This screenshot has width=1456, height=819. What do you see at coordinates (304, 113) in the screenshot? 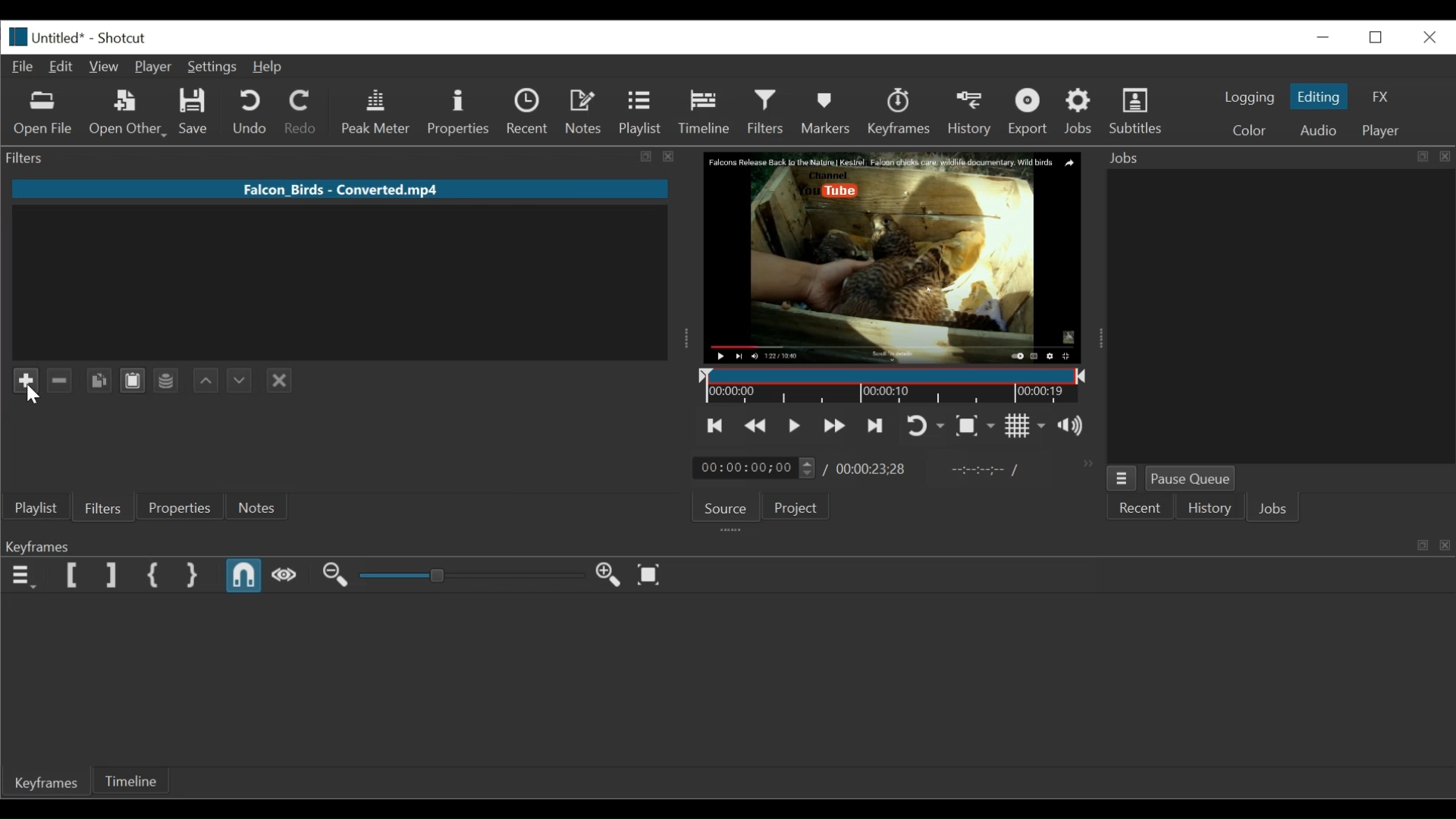
I see `Redo` at bounding box center [304, 113].